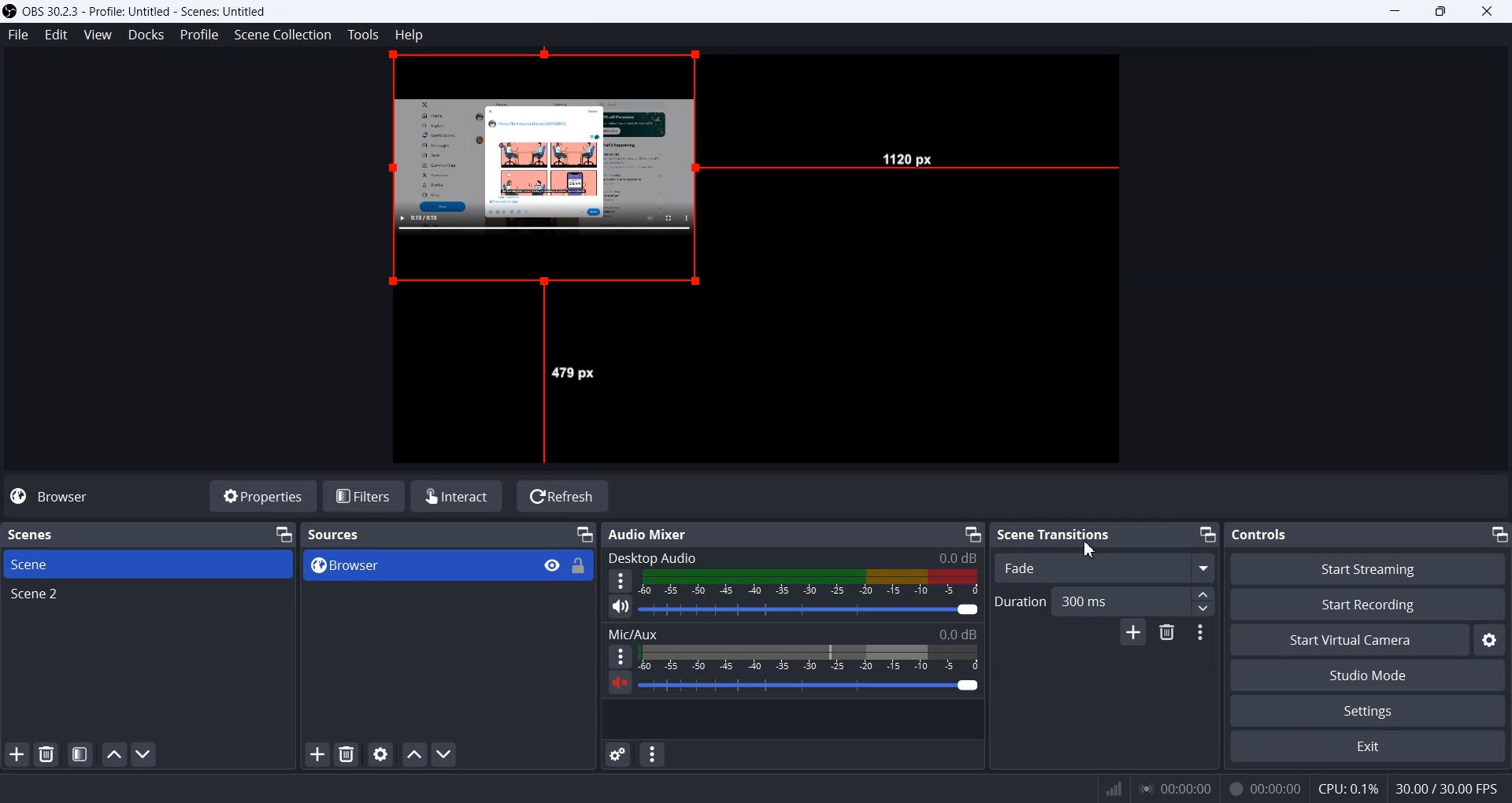 This screenshot has height=803, width=1512. Describe the element at coordinates (144, 34) in the screenshot. I see `Docks` at that location.